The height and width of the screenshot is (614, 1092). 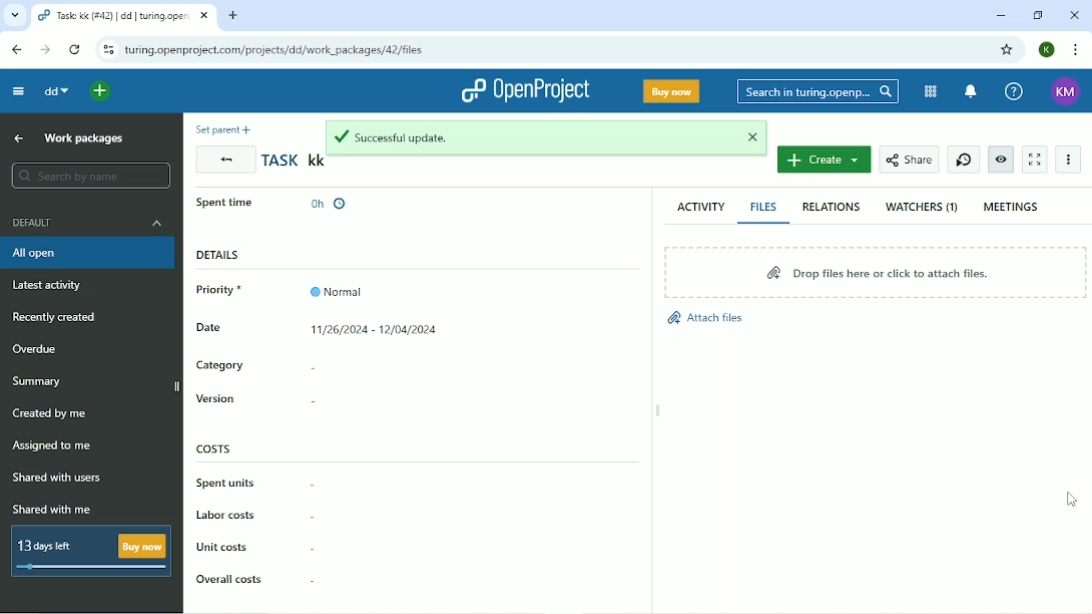 What do you see at coordinates (227, 129) in the screenshot?
I see `Set parent` at bounding box center [227, 129].